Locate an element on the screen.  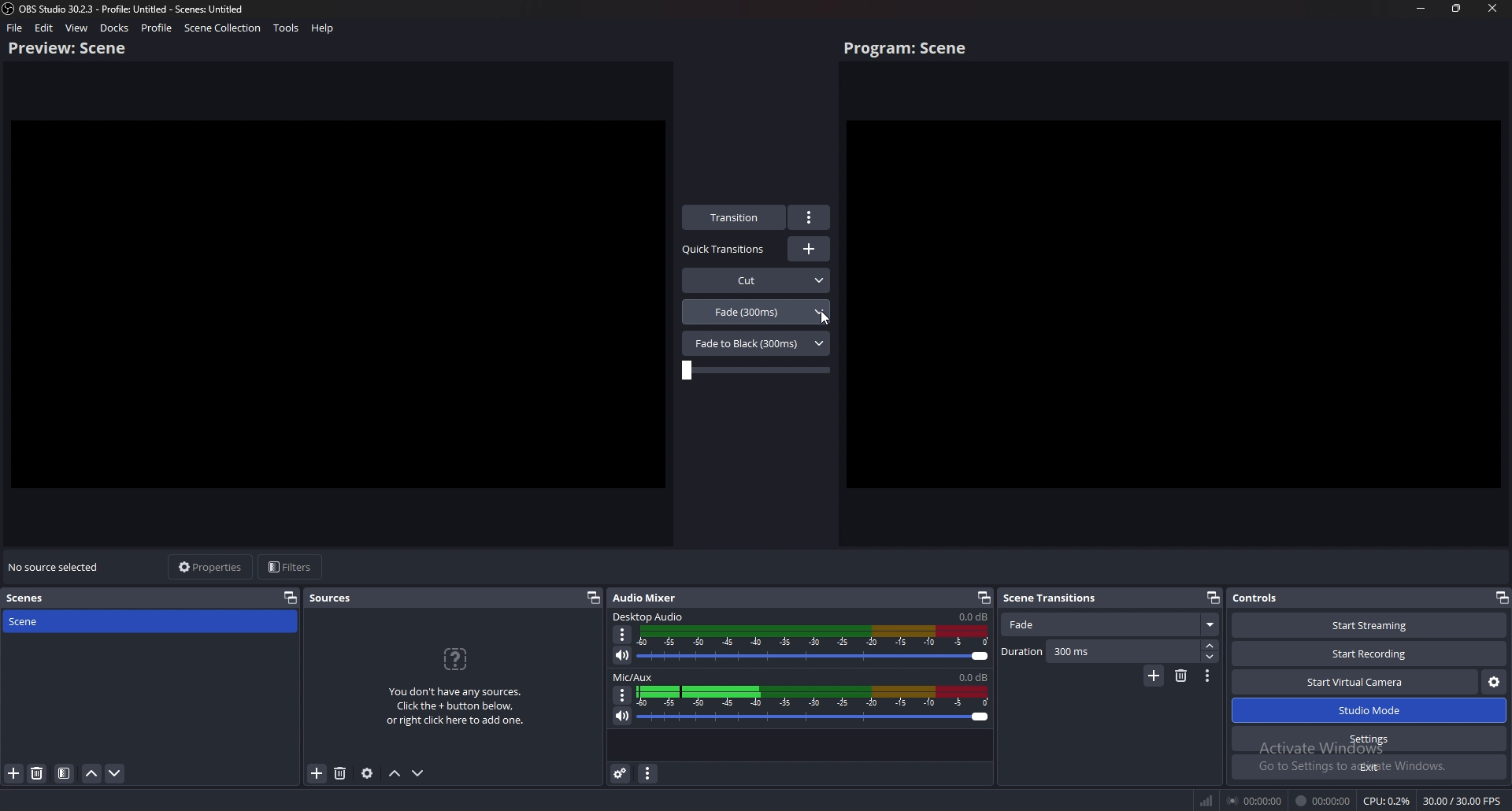
 00:00:00 is located at coordinates (1324, 801).